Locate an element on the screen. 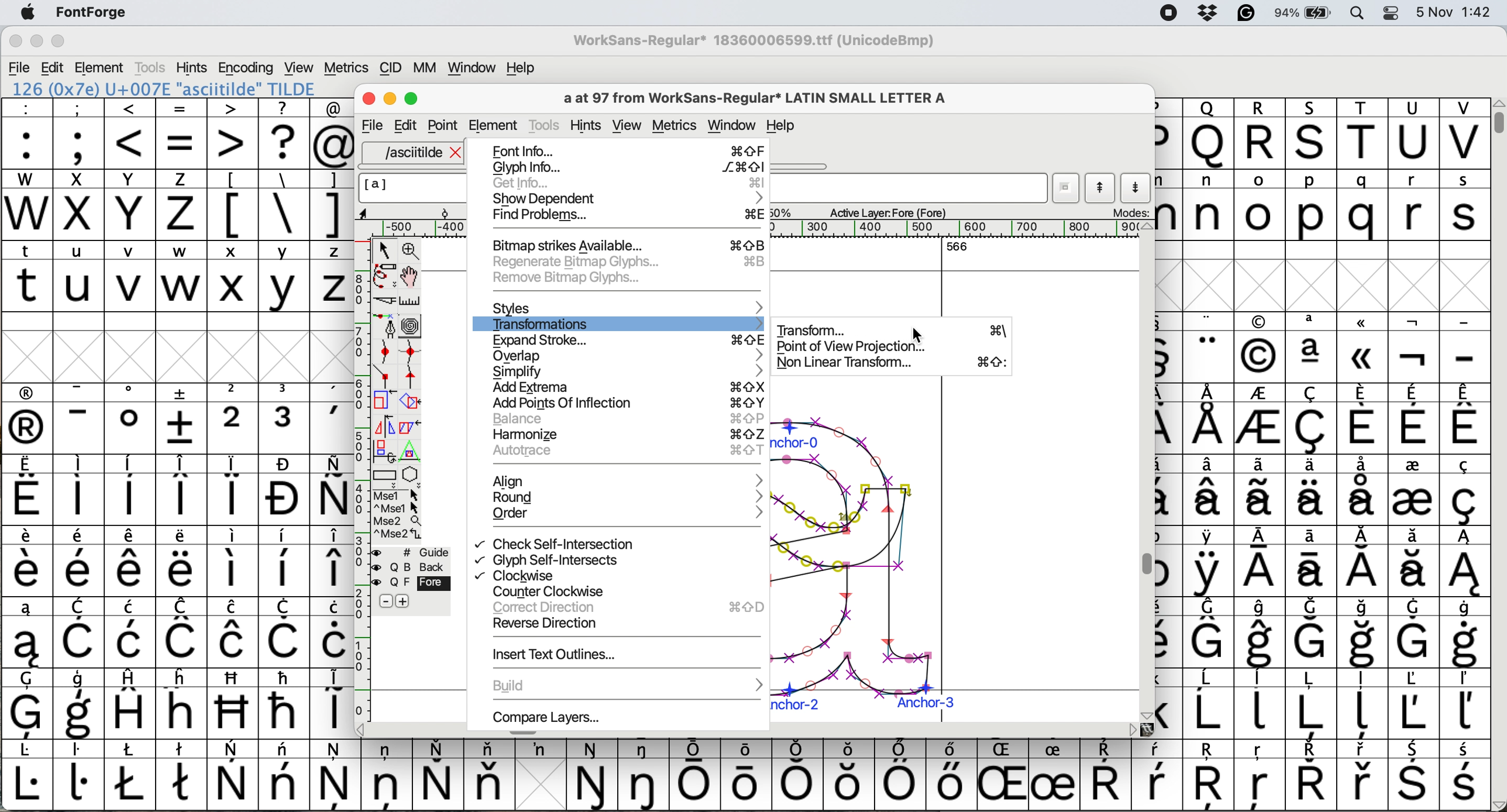  transform is located at coordinates (893, 329).